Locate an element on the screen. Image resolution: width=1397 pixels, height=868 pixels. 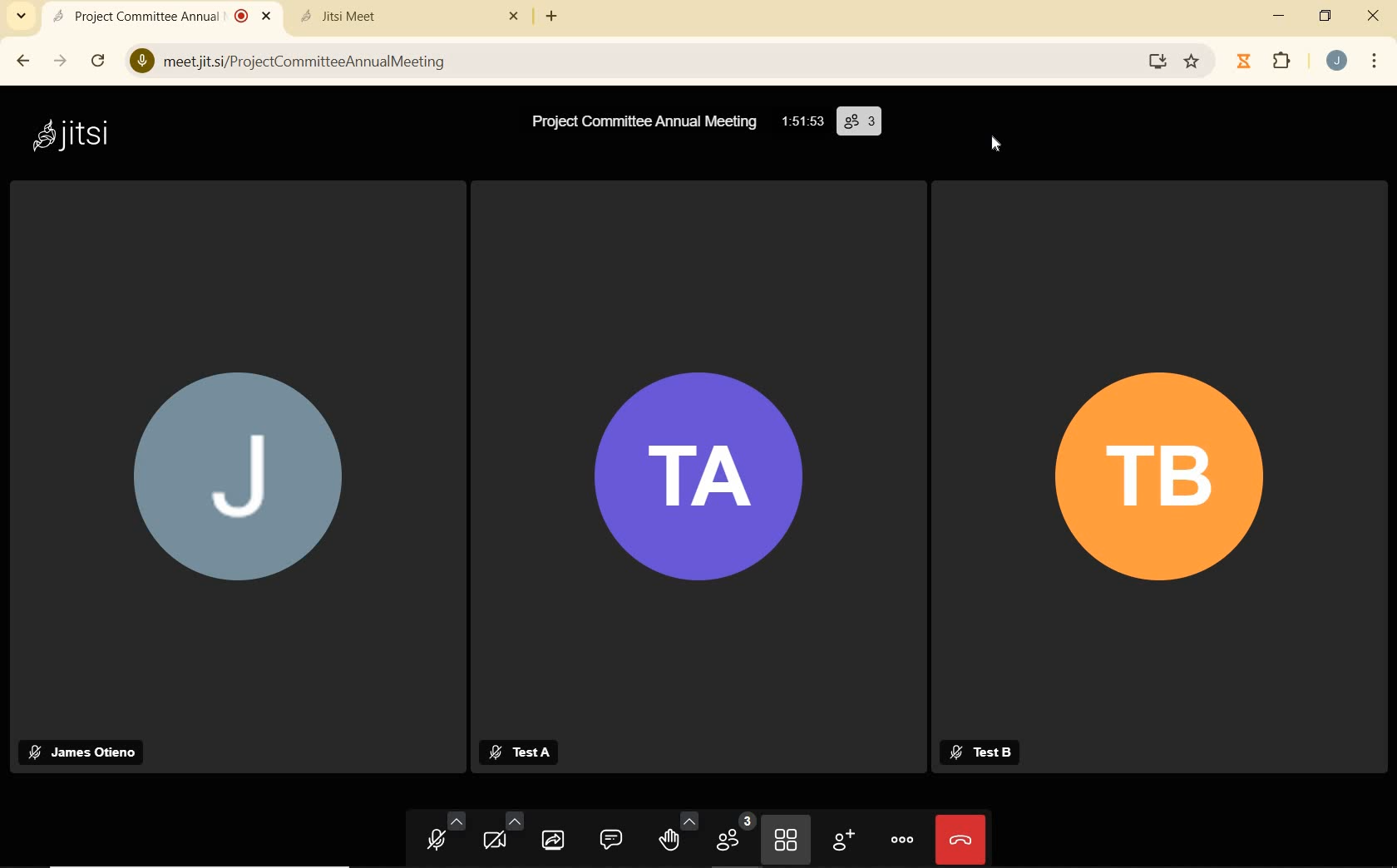
address bar is located at coordinates (647, 62).